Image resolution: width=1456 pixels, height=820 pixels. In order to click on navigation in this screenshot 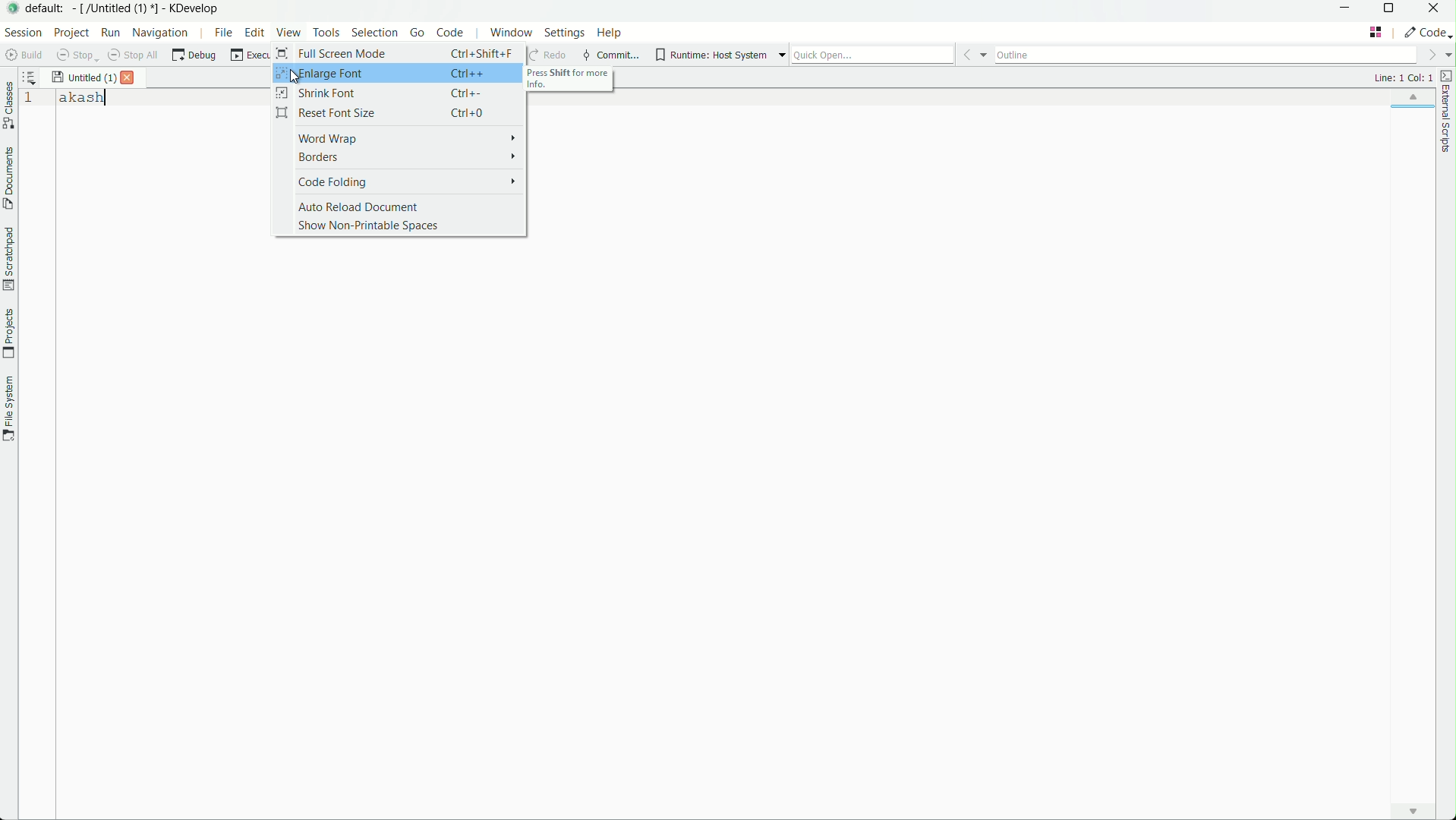, I will do `click(161, 33)`.